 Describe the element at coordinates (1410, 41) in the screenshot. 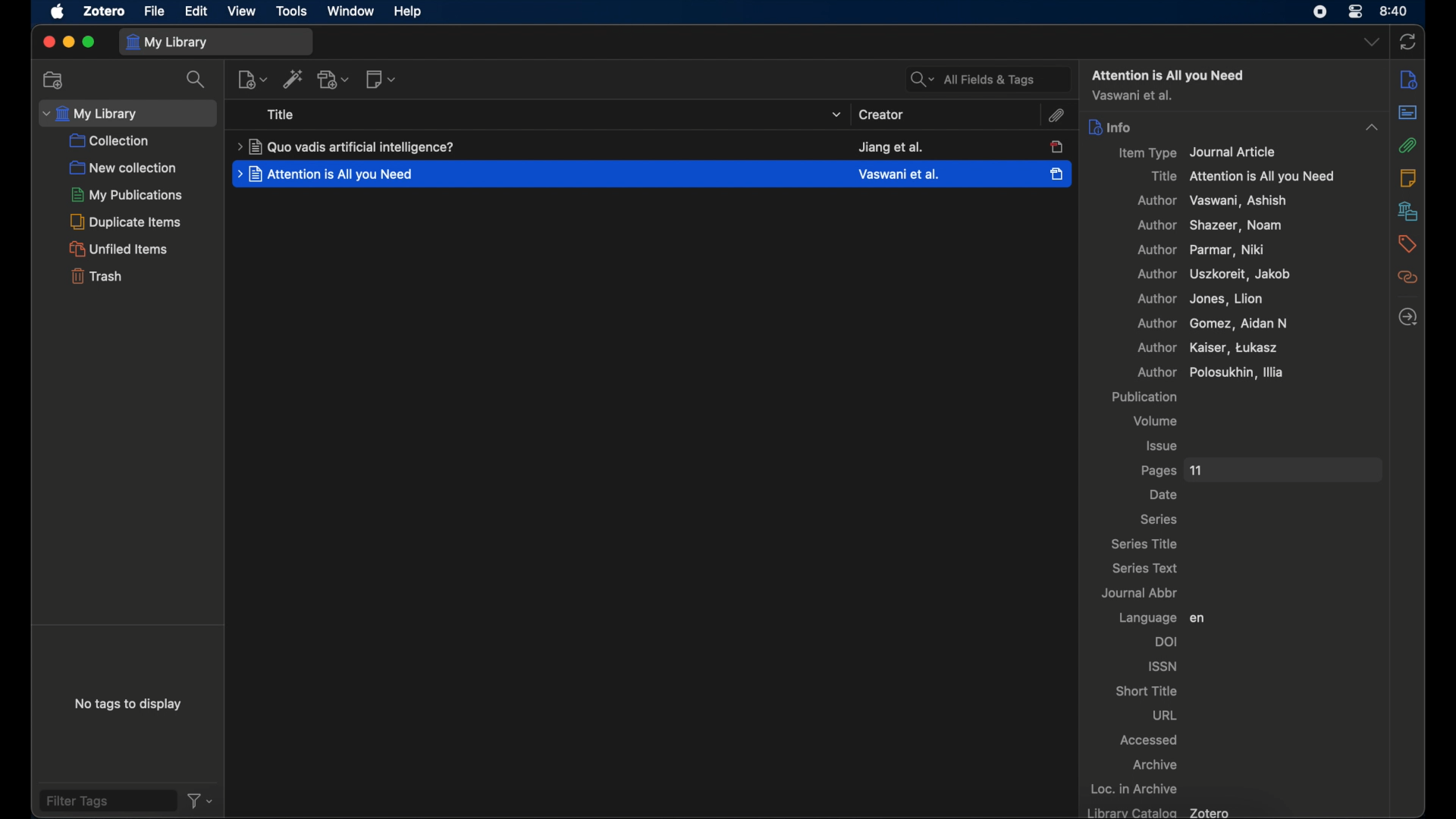

I see `sync` at that location.